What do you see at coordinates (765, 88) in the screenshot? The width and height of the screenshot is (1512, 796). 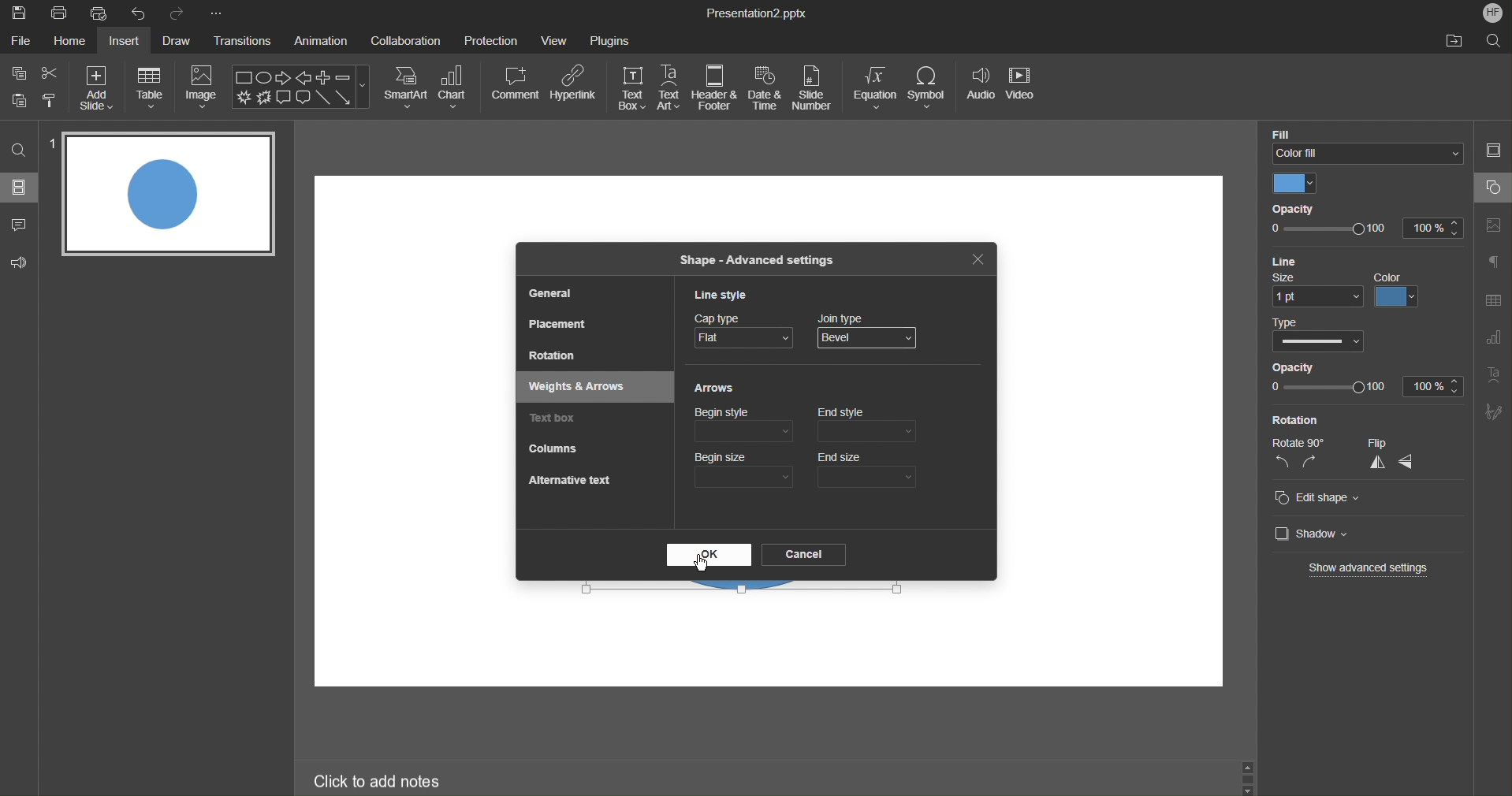 I see `Date & Time` at bounding box center [765, 88].